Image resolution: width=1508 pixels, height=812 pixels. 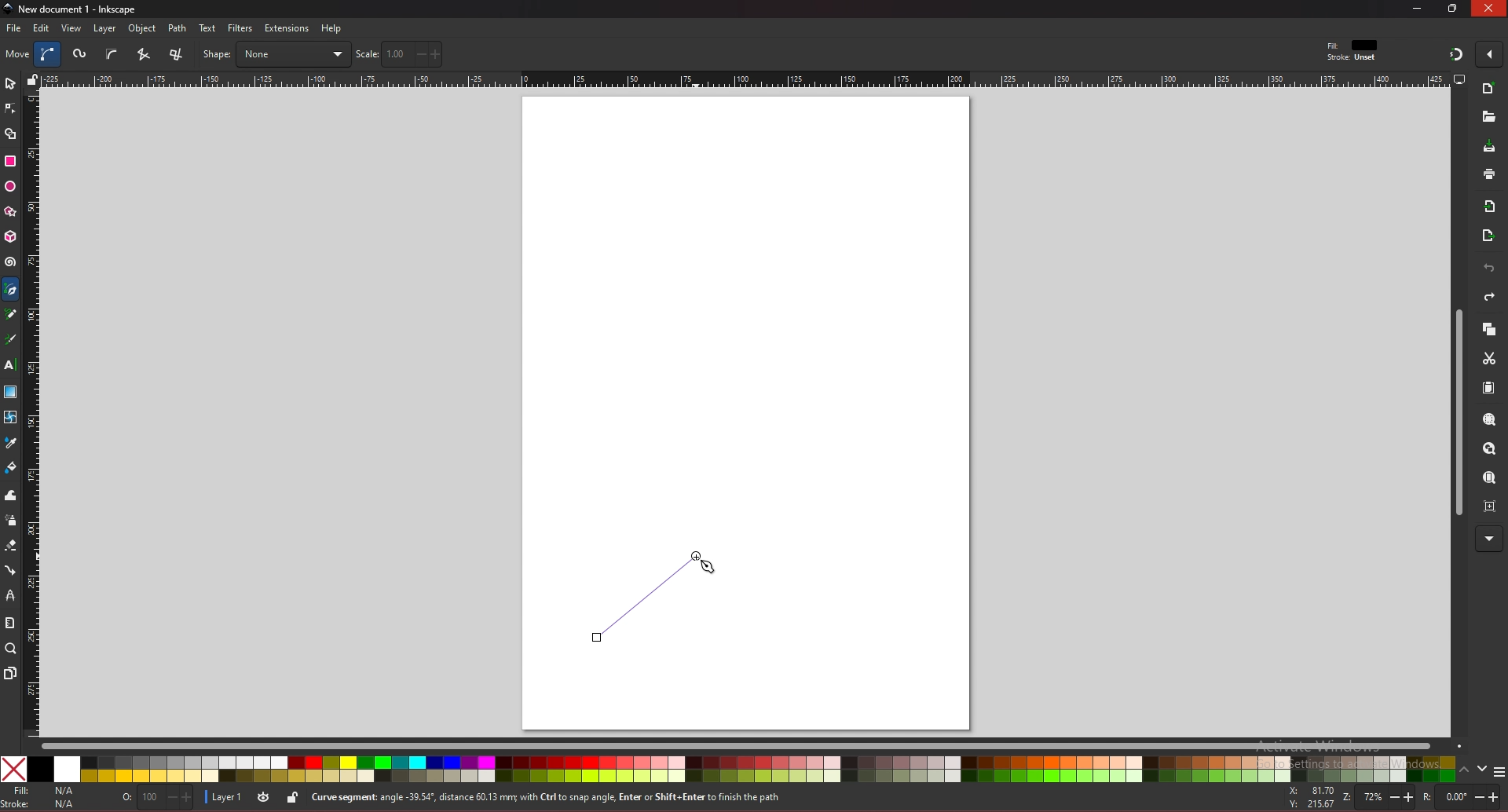 I want to click on import, so click(x=1493, y=207).